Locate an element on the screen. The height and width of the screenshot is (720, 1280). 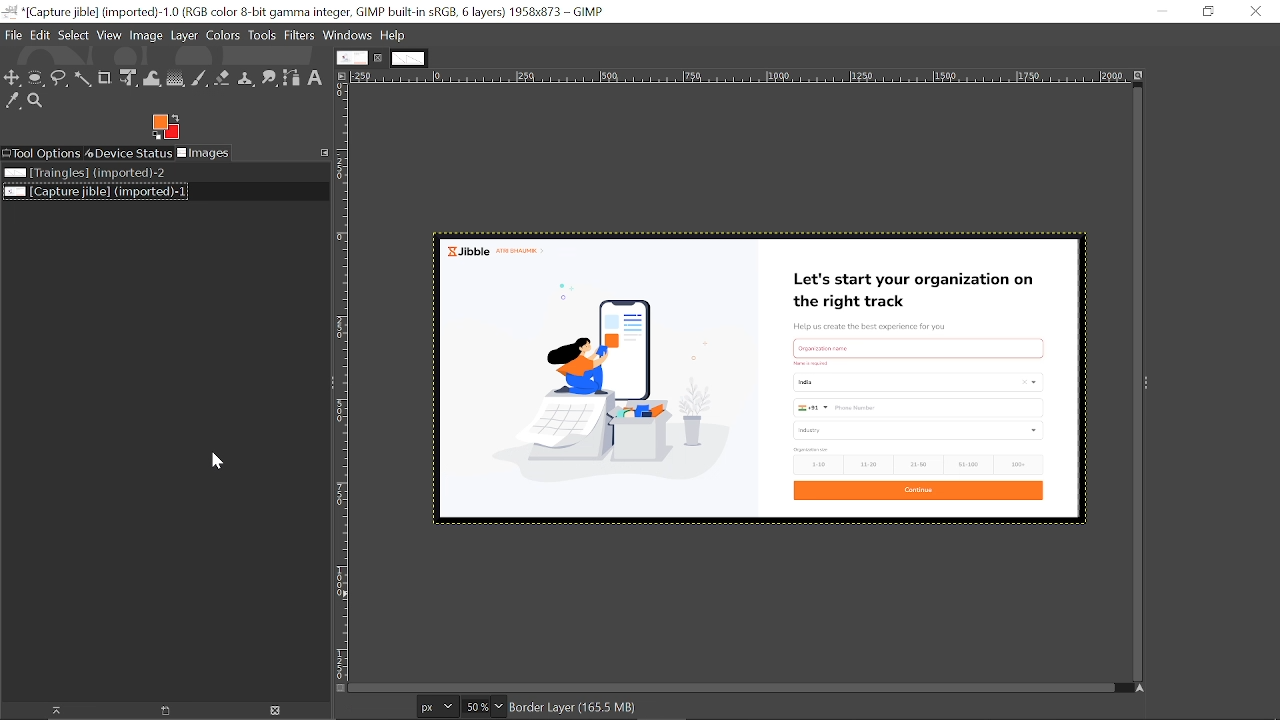
Sidebar menu is located at coordinates (1148, 383).